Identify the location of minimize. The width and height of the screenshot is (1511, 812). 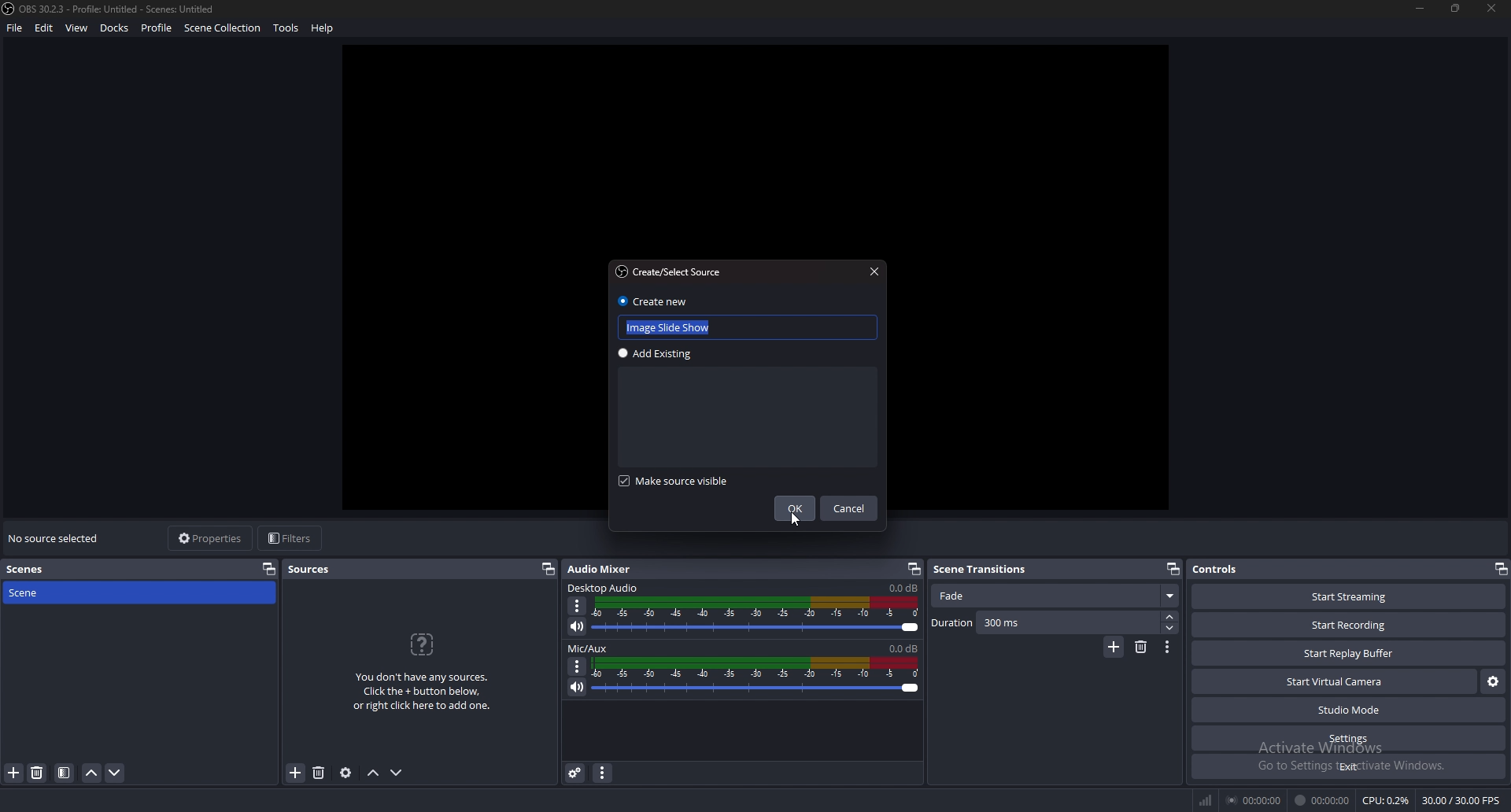
(1421, 9).